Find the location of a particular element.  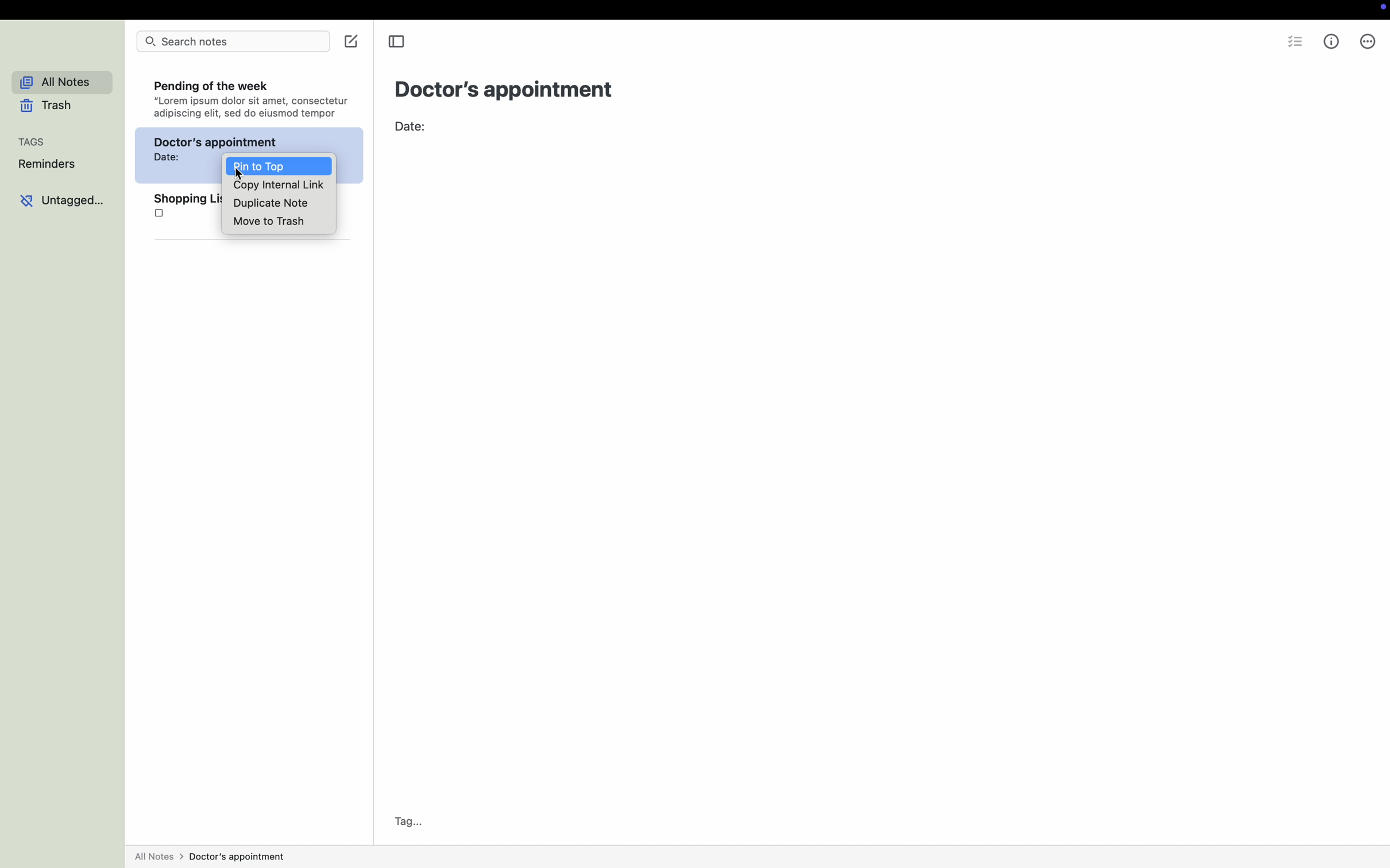

tags is located at coordinates (34, 142).